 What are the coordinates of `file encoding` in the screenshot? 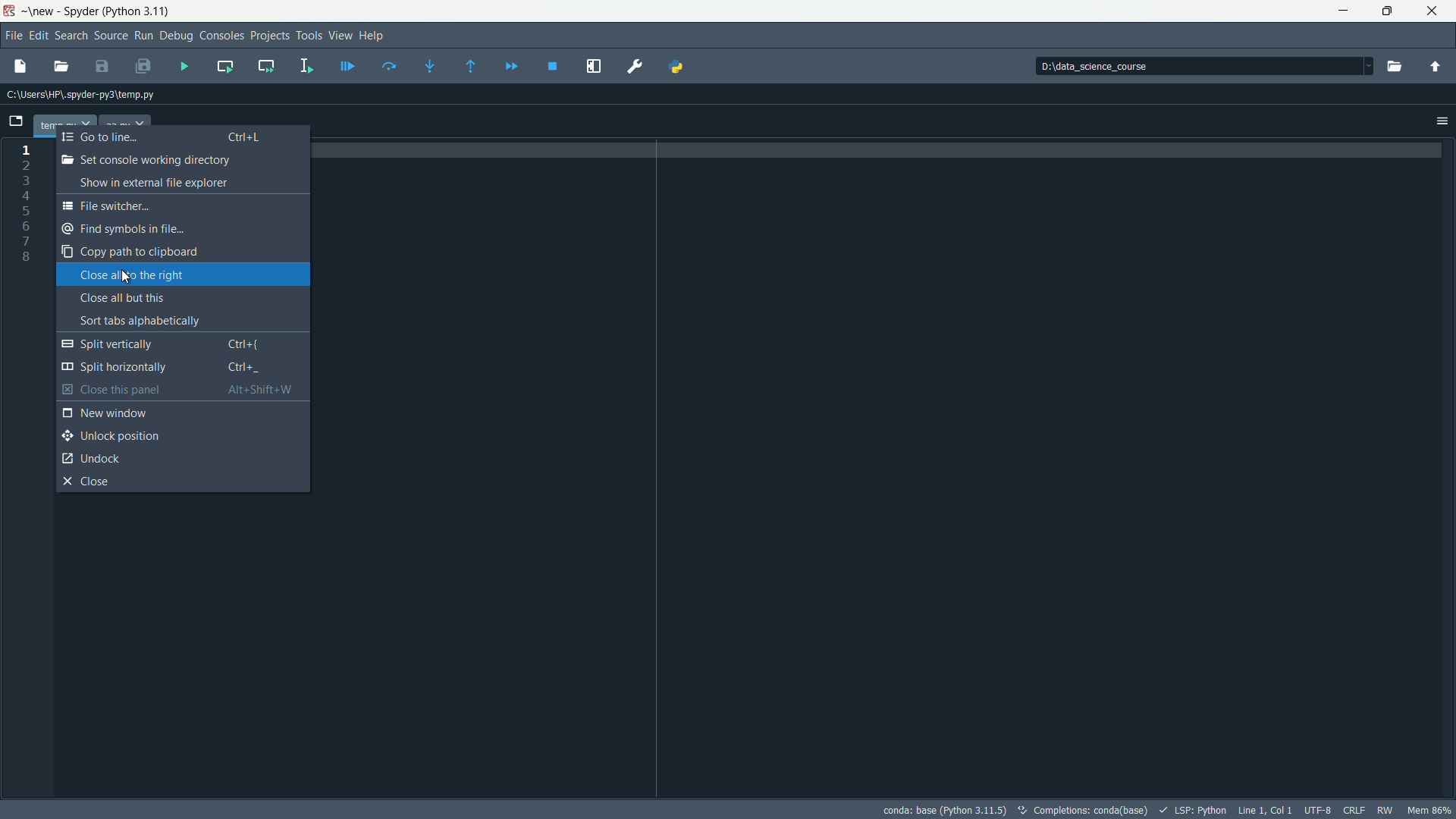 It's located at (1319, 810).